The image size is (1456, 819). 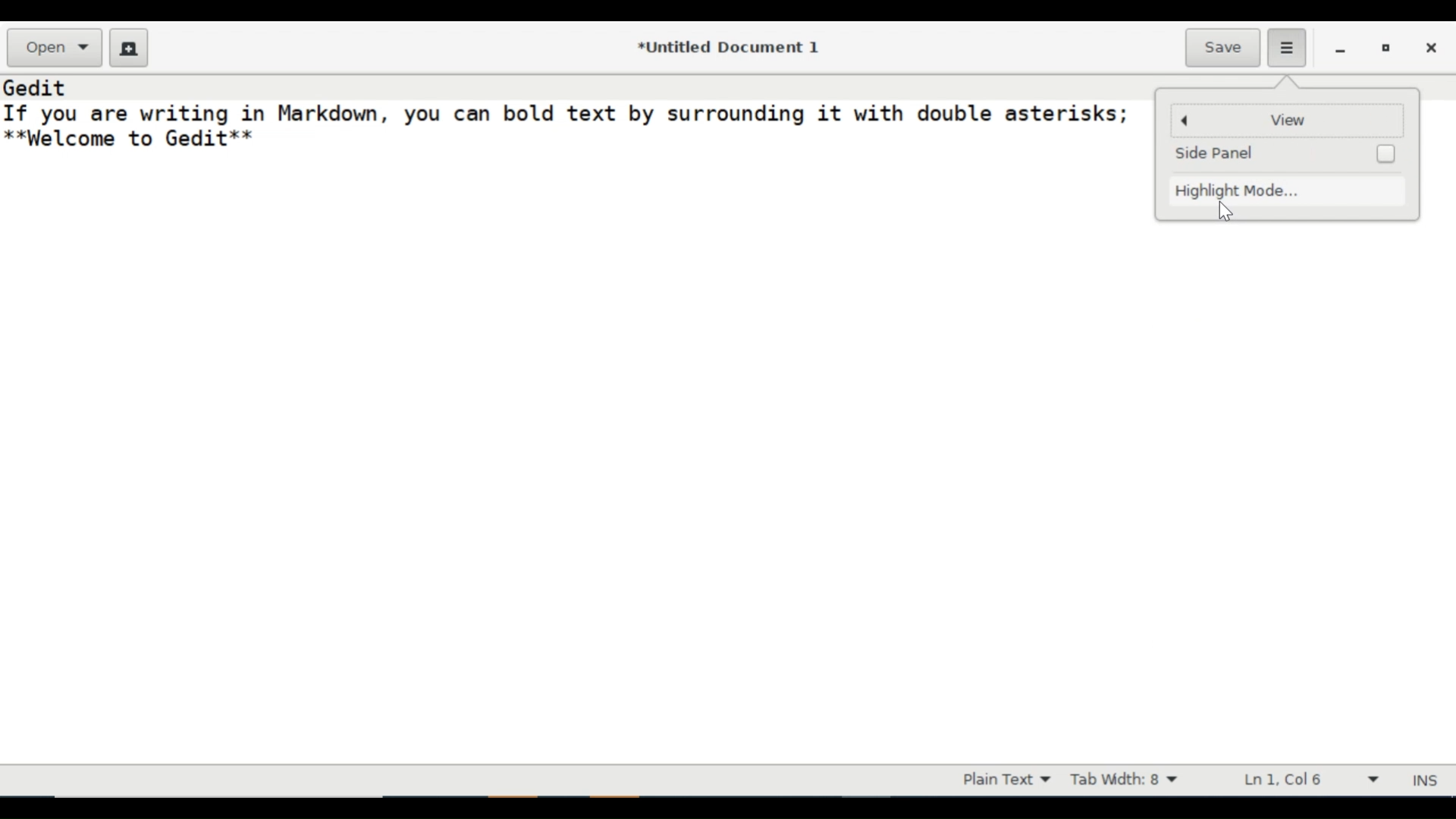 I want to click on close, so click(x=1431, y=47).